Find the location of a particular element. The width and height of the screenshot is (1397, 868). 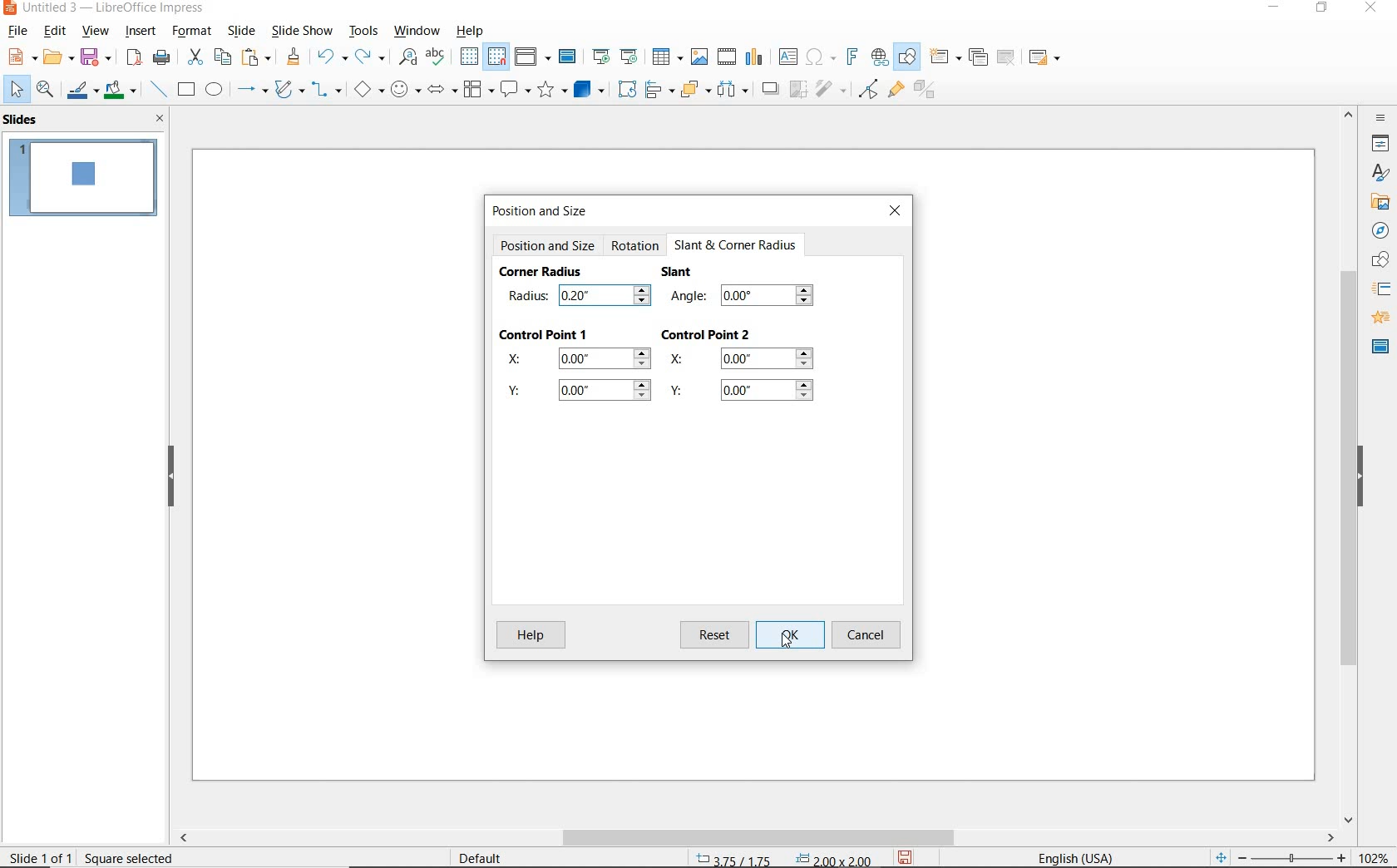

copy is located at coordinates (220, 56).